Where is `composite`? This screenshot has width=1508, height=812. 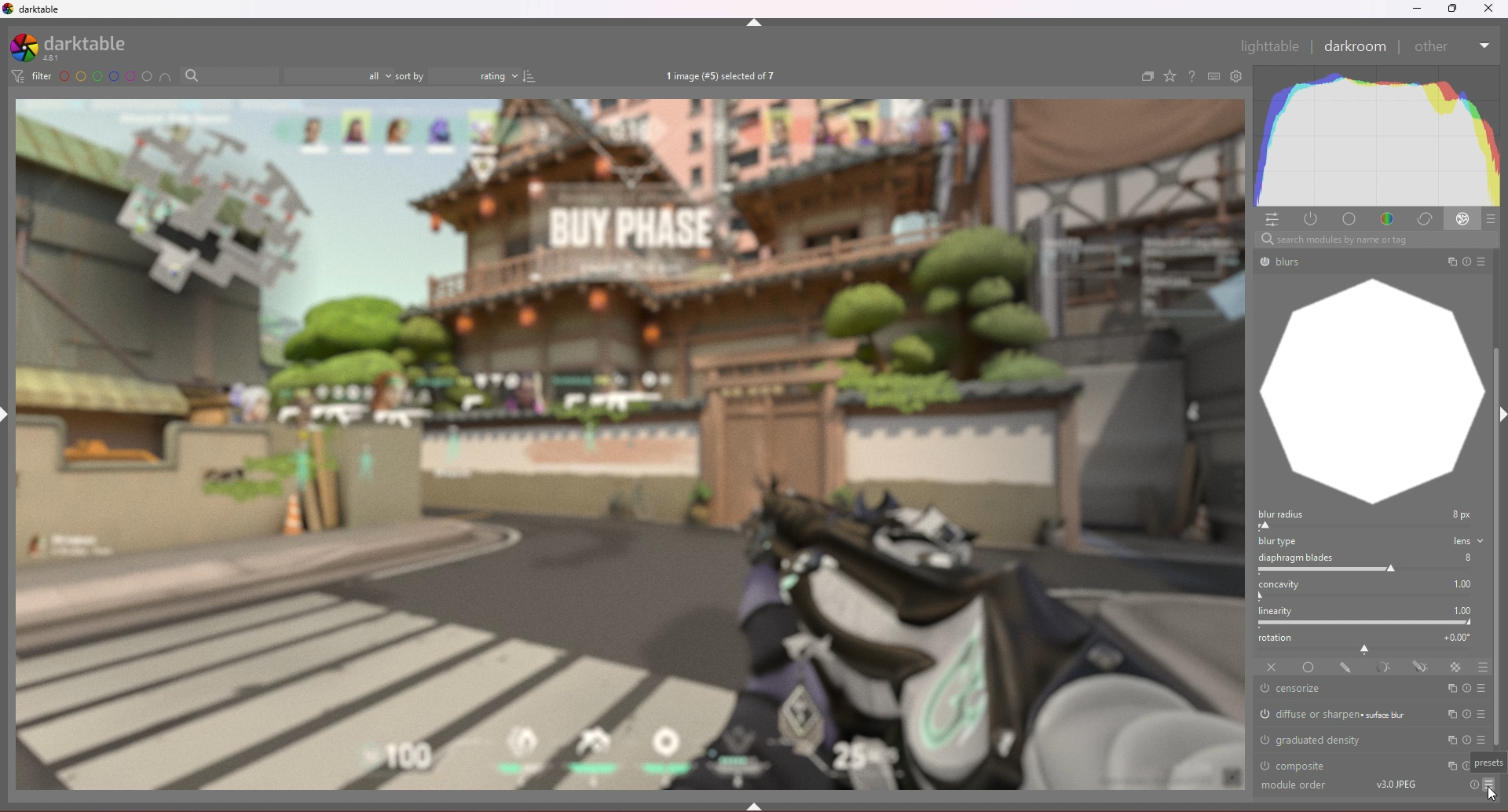 composite is located at coordinates (1298, 765).